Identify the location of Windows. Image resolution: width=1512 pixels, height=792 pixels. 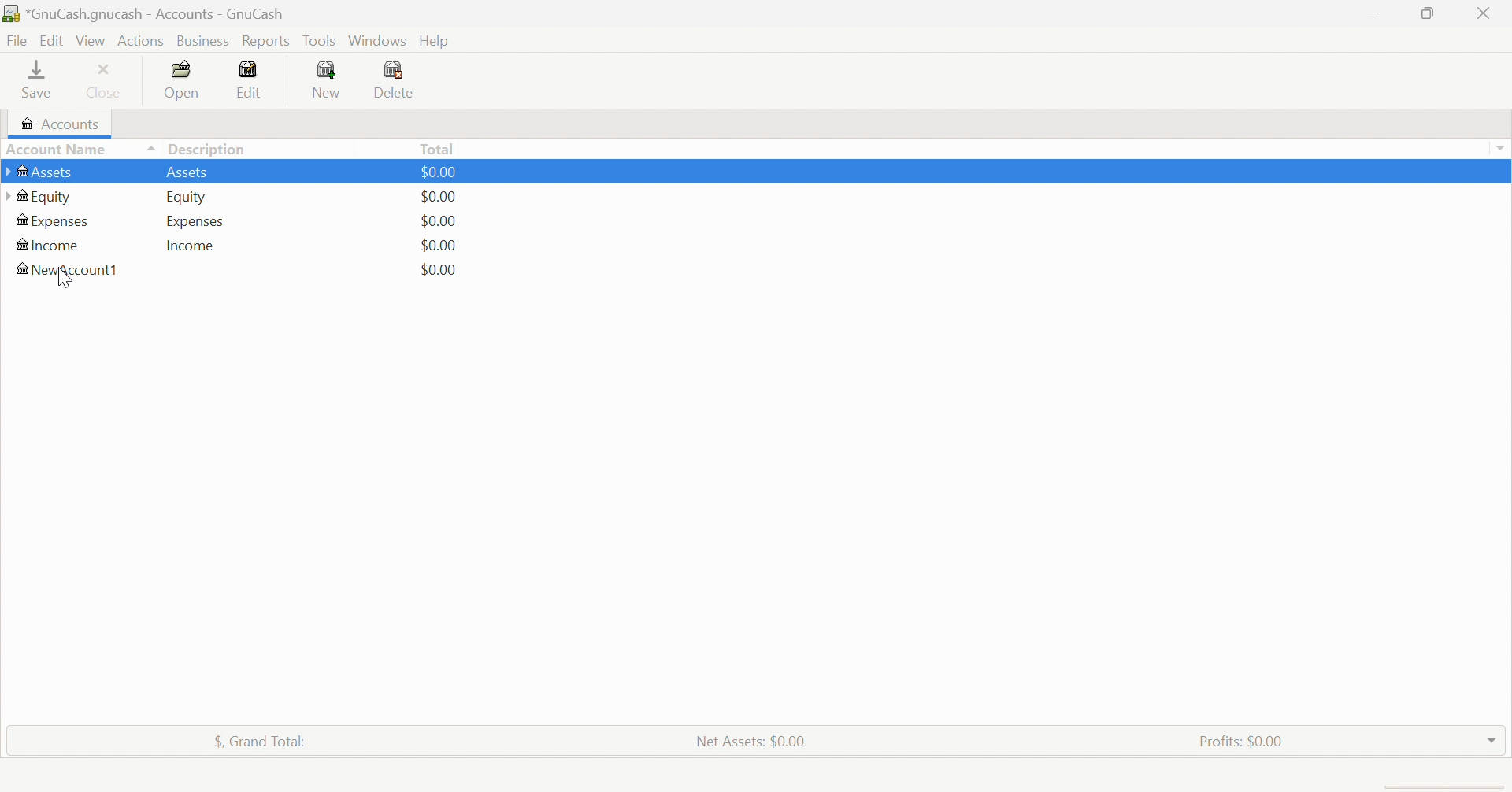
(376, 40).